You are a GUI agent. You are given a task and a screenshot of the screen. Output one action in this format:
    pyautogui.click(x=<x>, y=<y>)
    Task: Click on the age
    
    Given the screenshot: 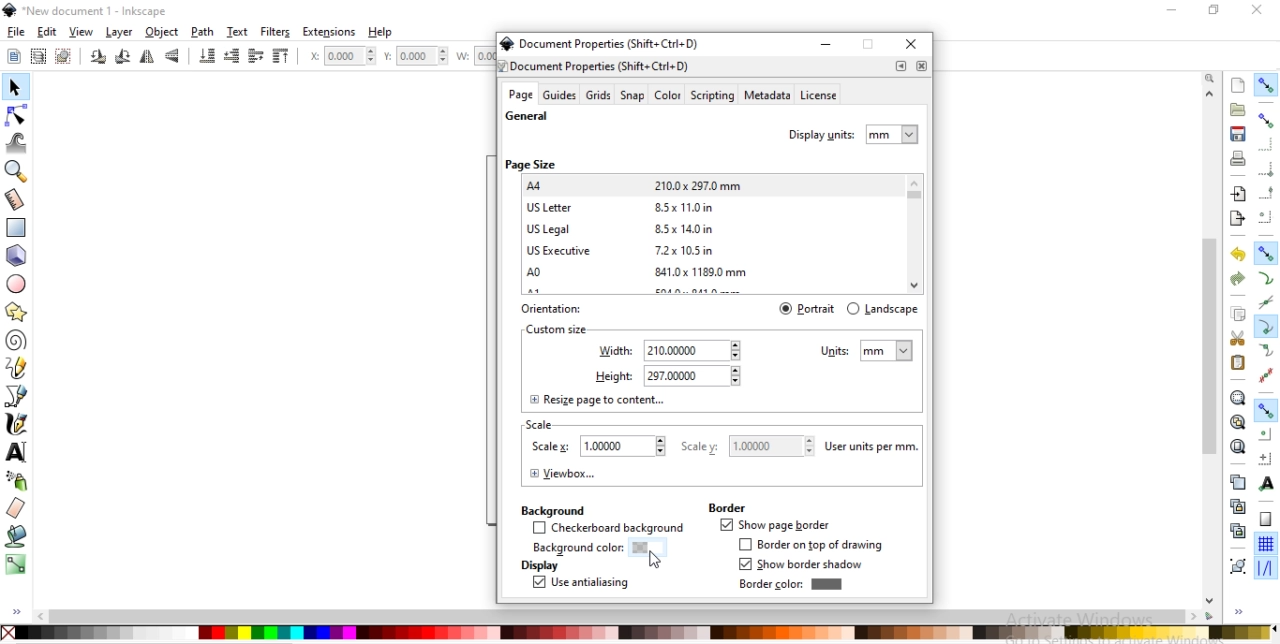 What is the action you would take?
    pyautogui.click(x=520, y=95)
    